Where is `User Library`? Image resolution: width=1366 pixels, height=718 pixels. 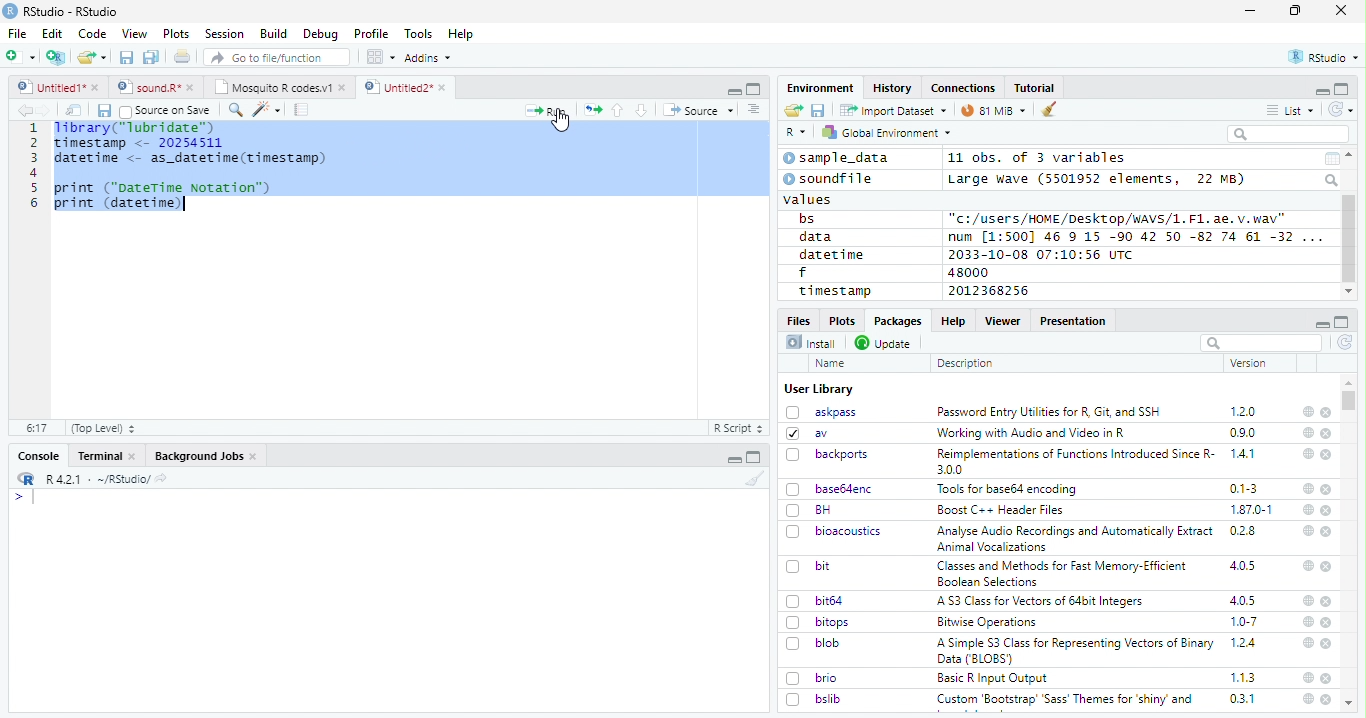
User Library is located at coordinates (819, 389).